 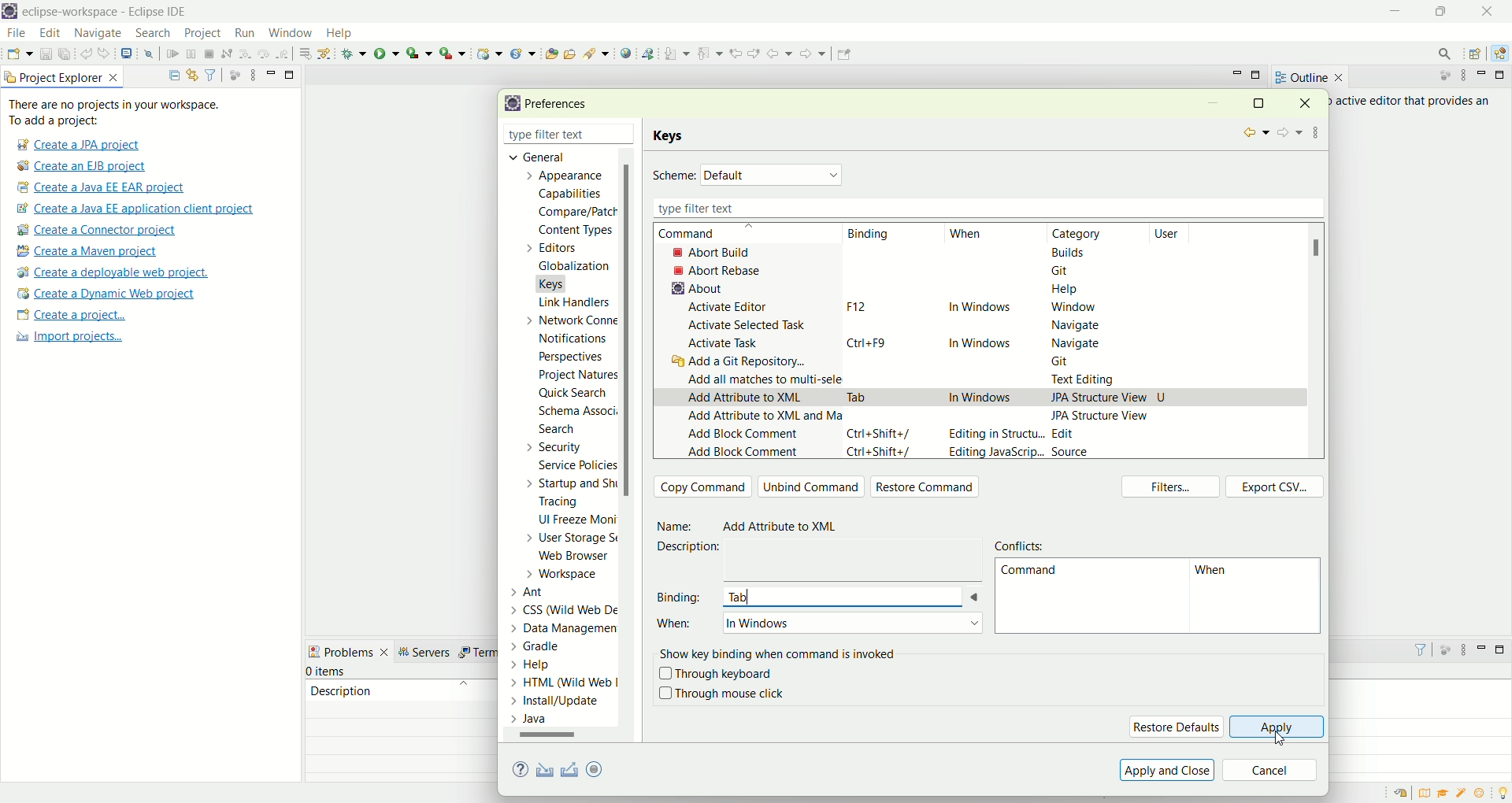 I want to click on suspend, so click(x=191, y=55).